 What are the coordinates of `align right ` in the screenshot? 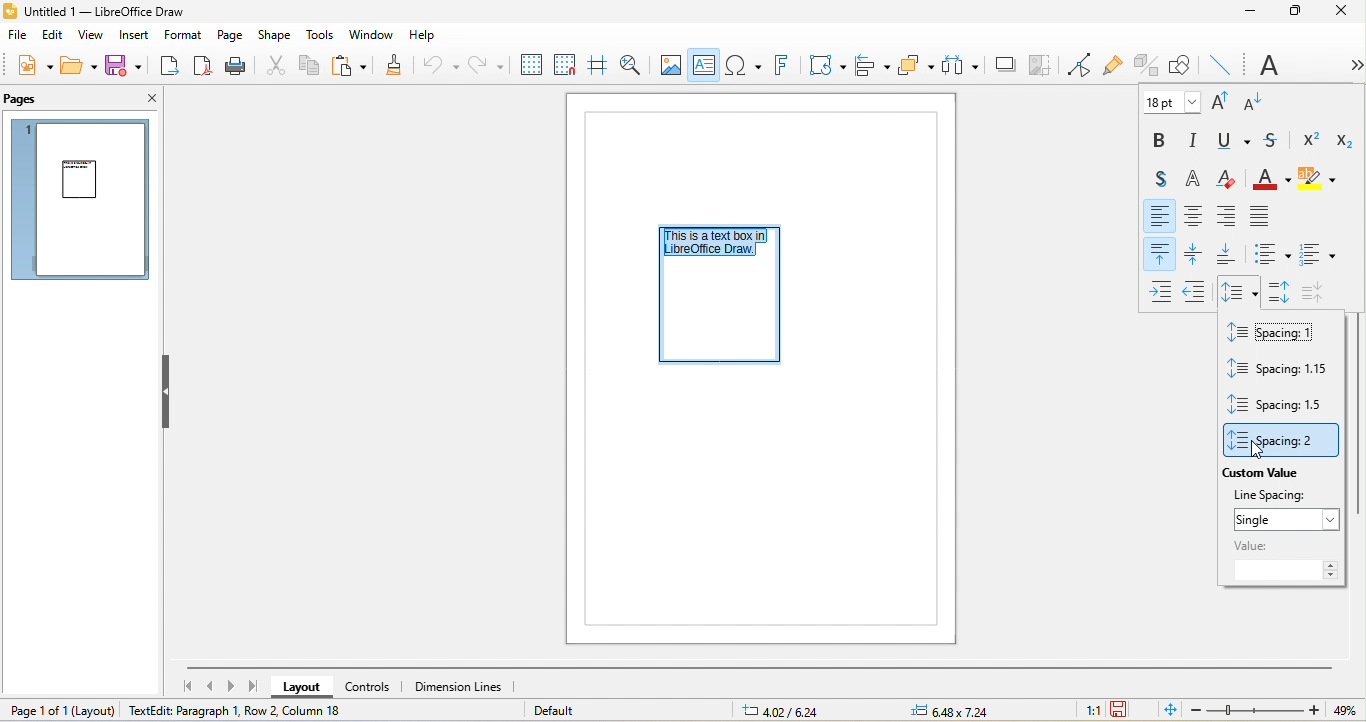 It's located at (1226, 216).